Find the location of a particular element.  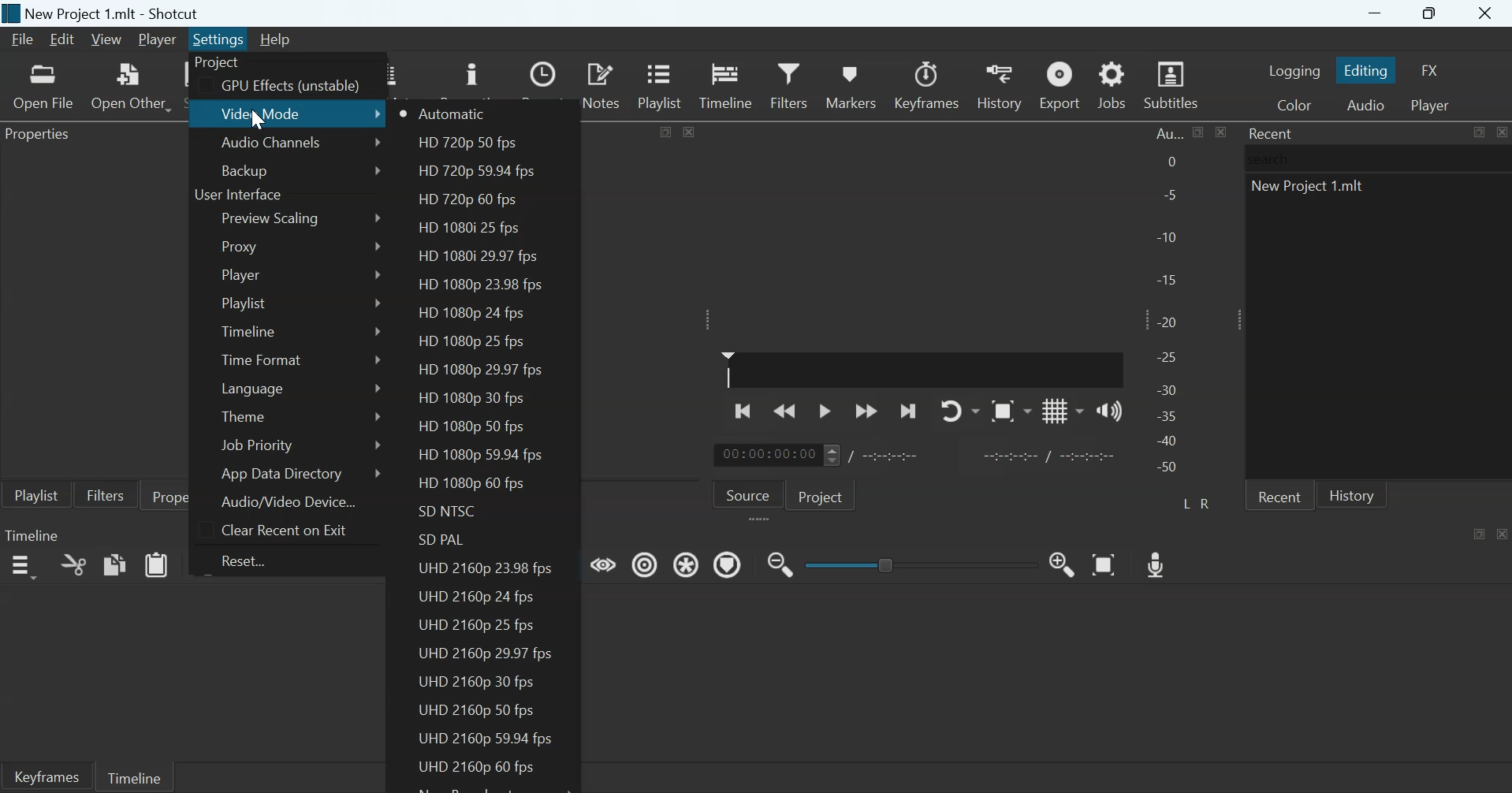

Timeline is located at coordinates (251, 329).